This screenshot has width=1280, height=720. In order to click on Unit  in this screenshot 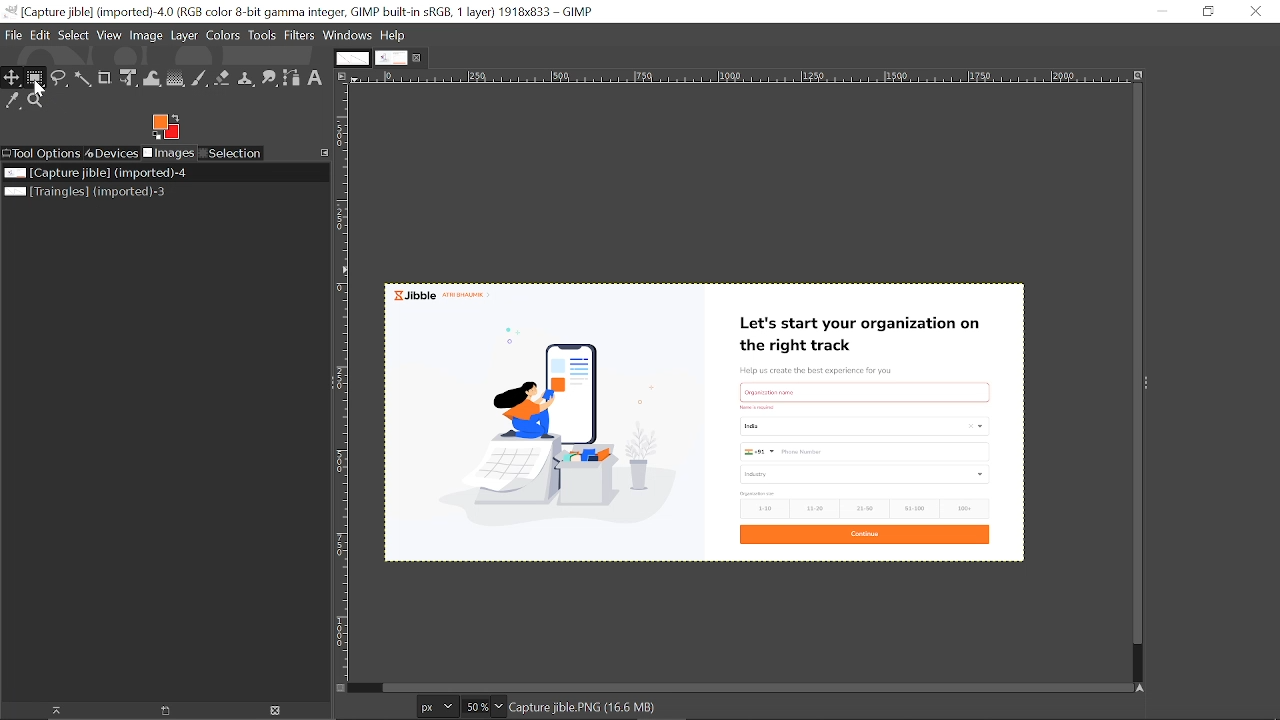, I will do `click(438, 706)`.